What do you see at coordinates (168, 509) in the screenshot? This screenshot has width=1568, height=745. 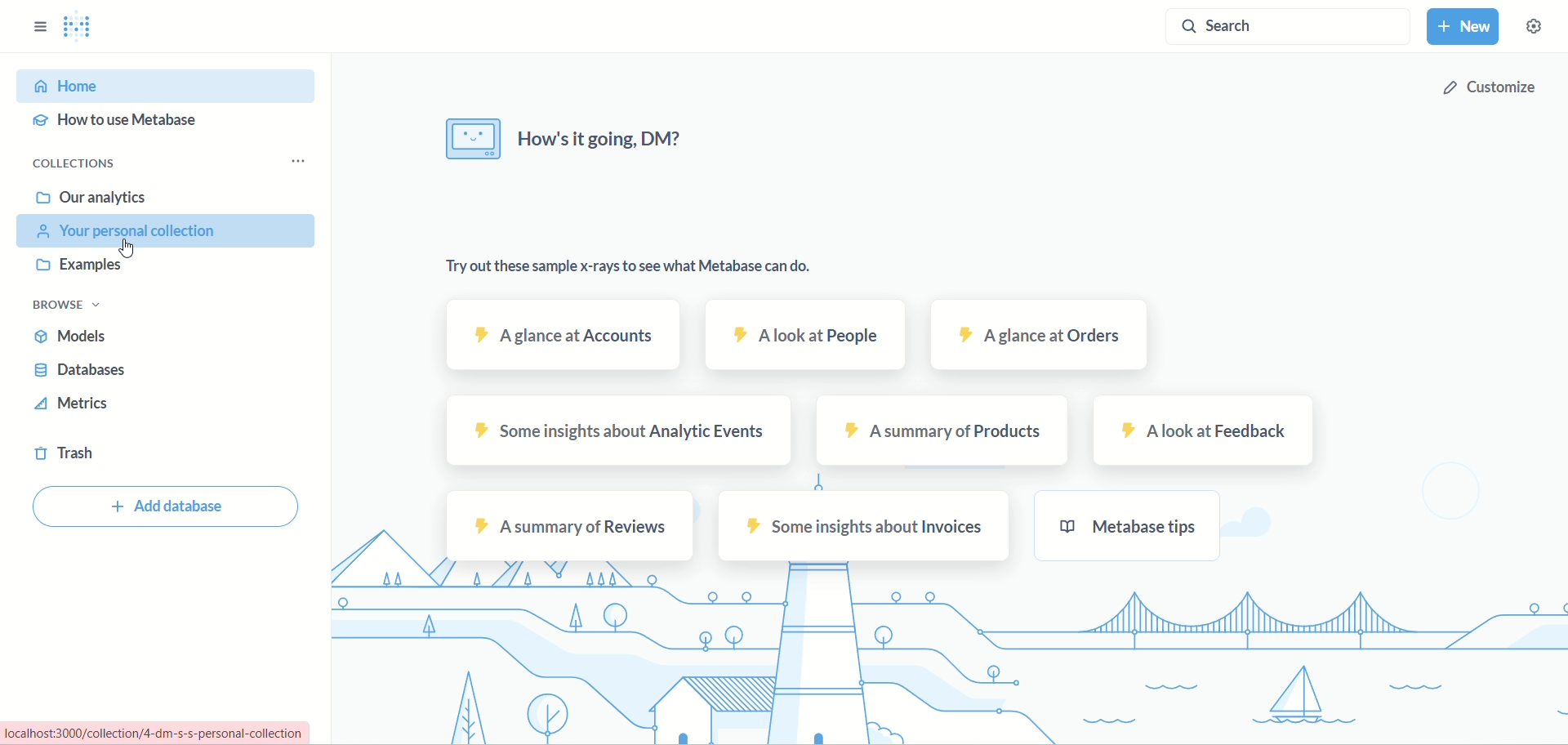 I see `add database` at bounding box center [168, 509].